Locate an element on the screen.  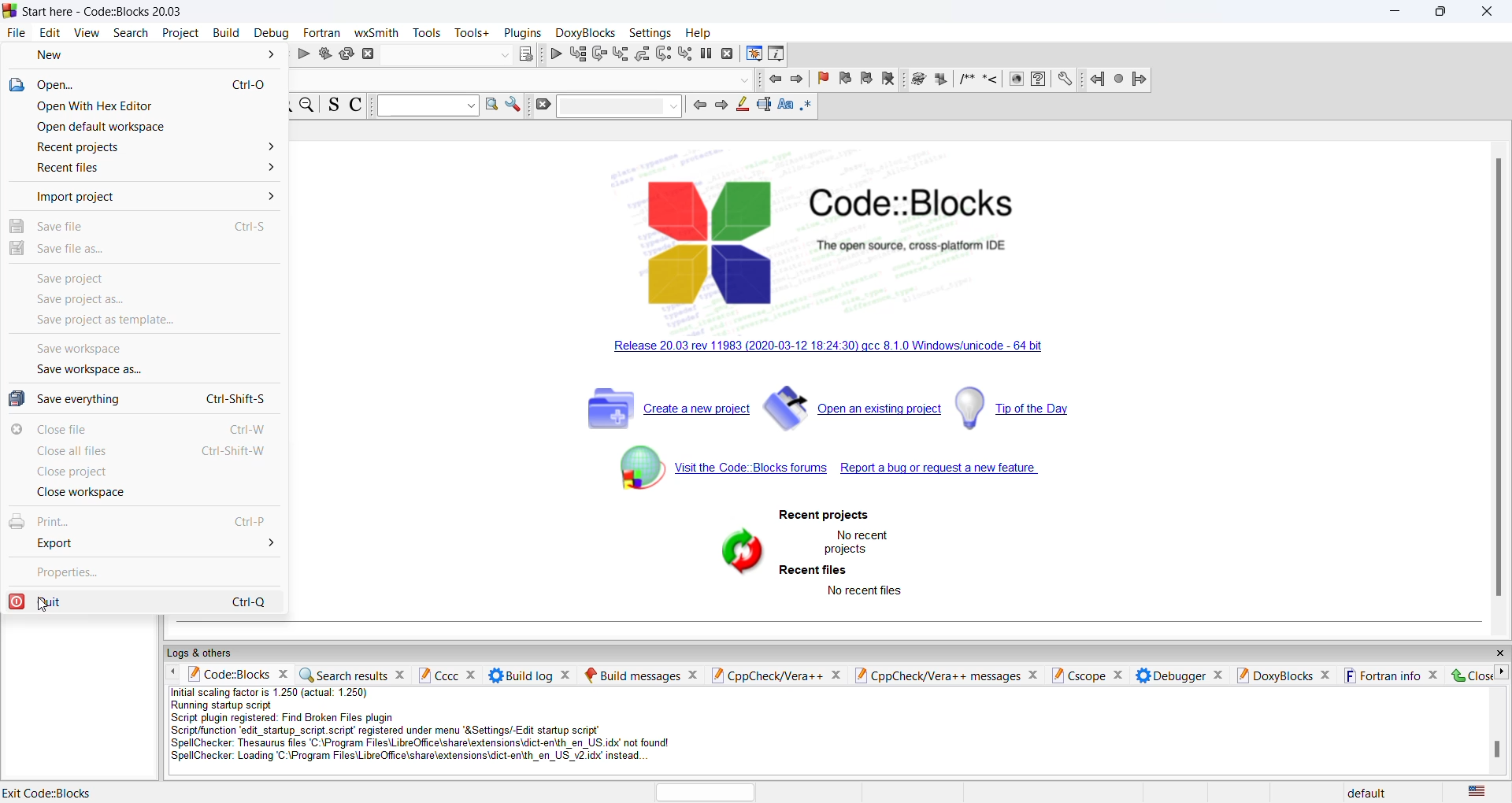
minimize is located at coordinates (1397, 11).